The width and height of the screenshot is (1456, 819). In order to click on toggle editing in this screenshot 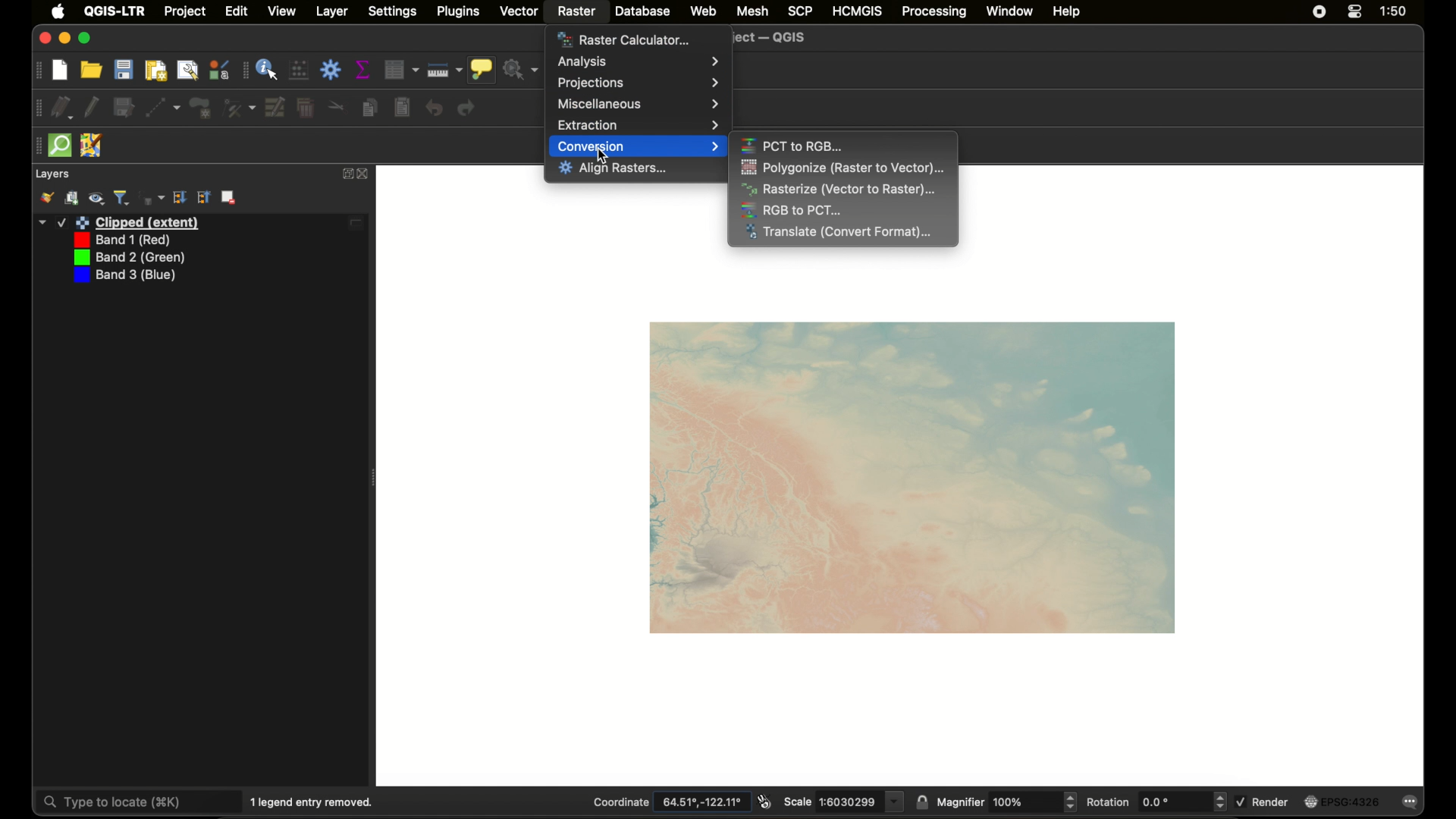, I will do `click(92, 108)`.